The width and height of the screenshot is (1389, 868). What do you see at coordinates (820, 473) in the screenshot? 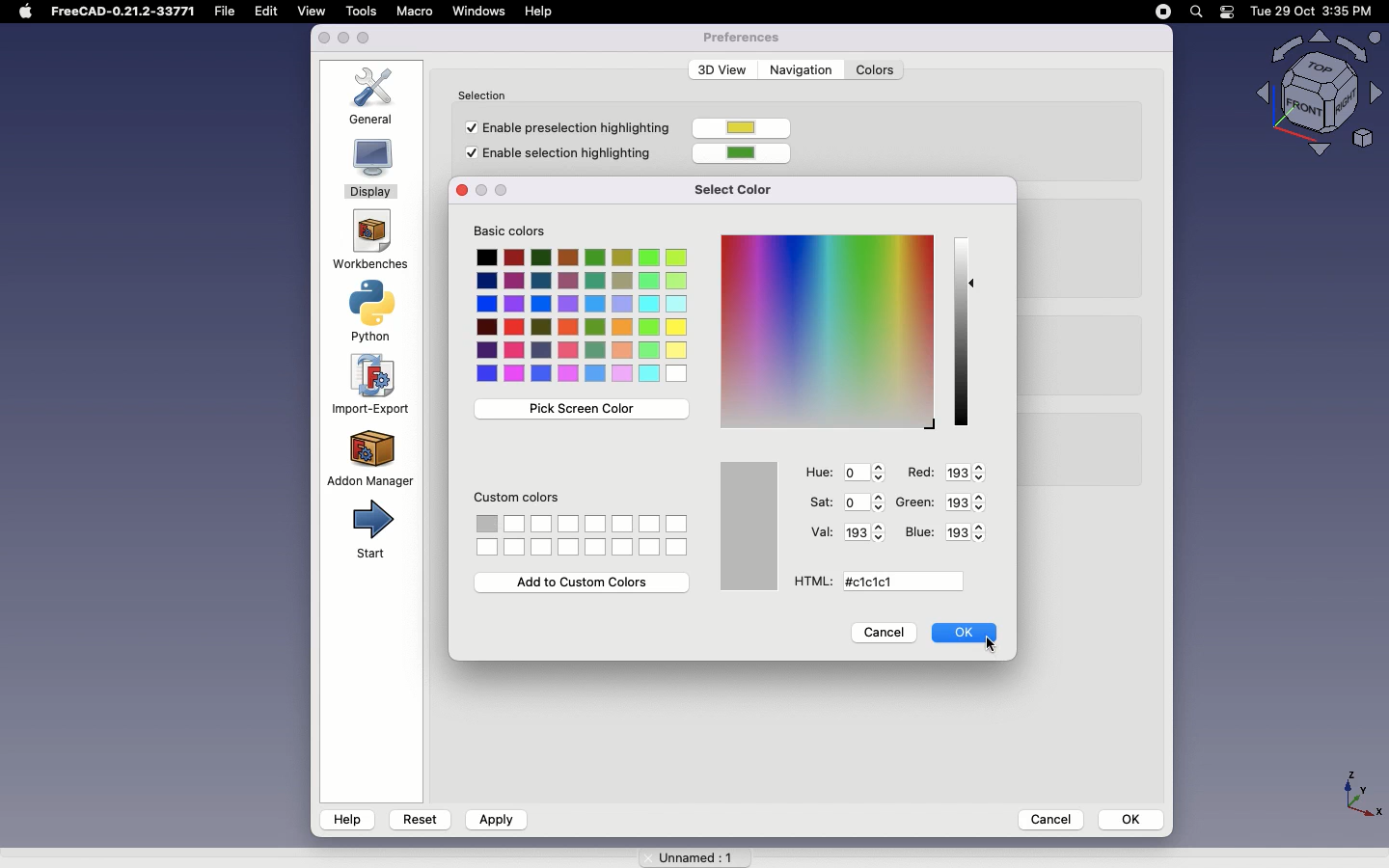
I see `Hue` at bounding box center [820, 473].